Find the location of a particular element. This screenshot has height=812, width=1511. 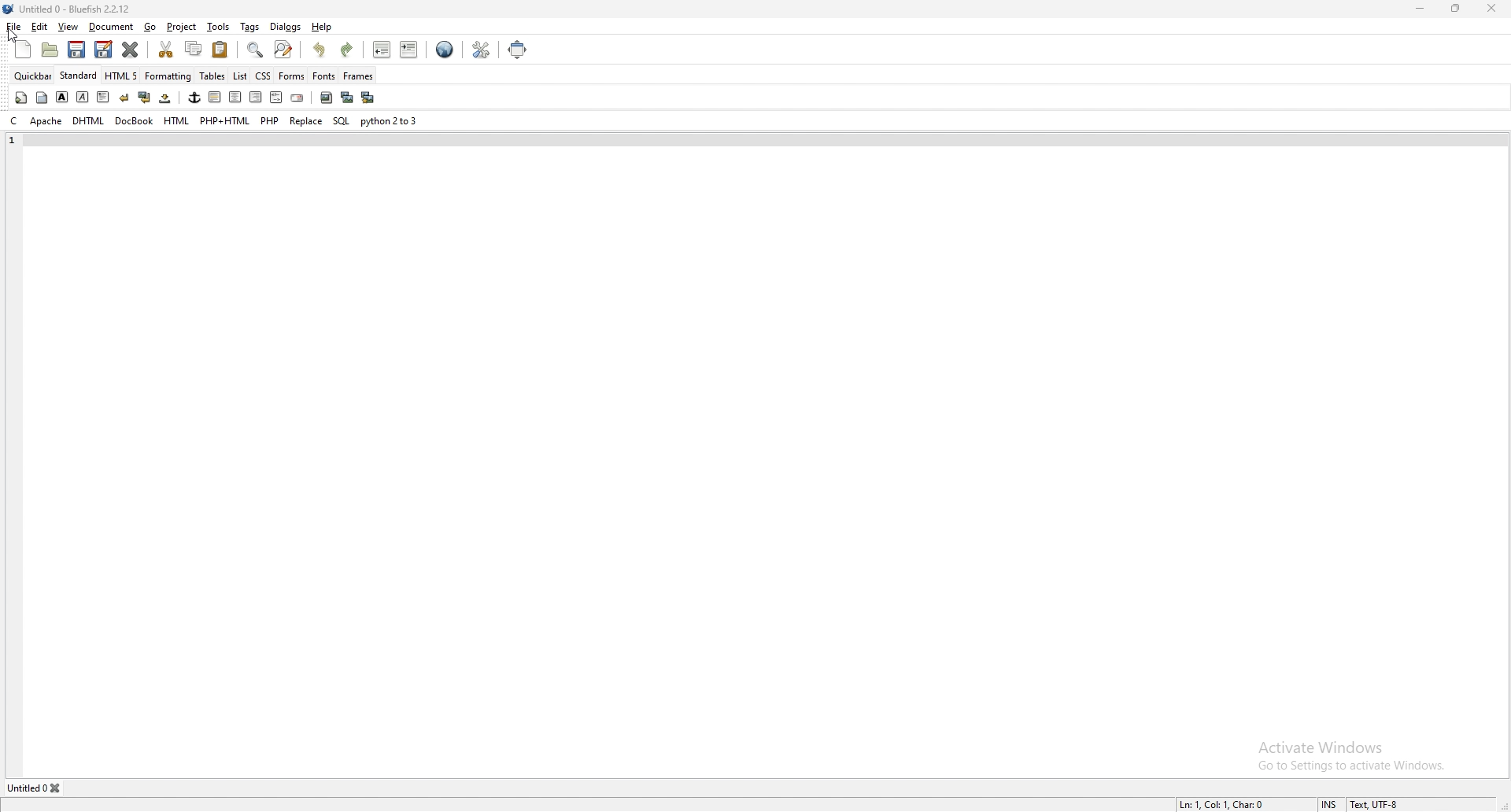

close current file is located at coordinates (131, 49).